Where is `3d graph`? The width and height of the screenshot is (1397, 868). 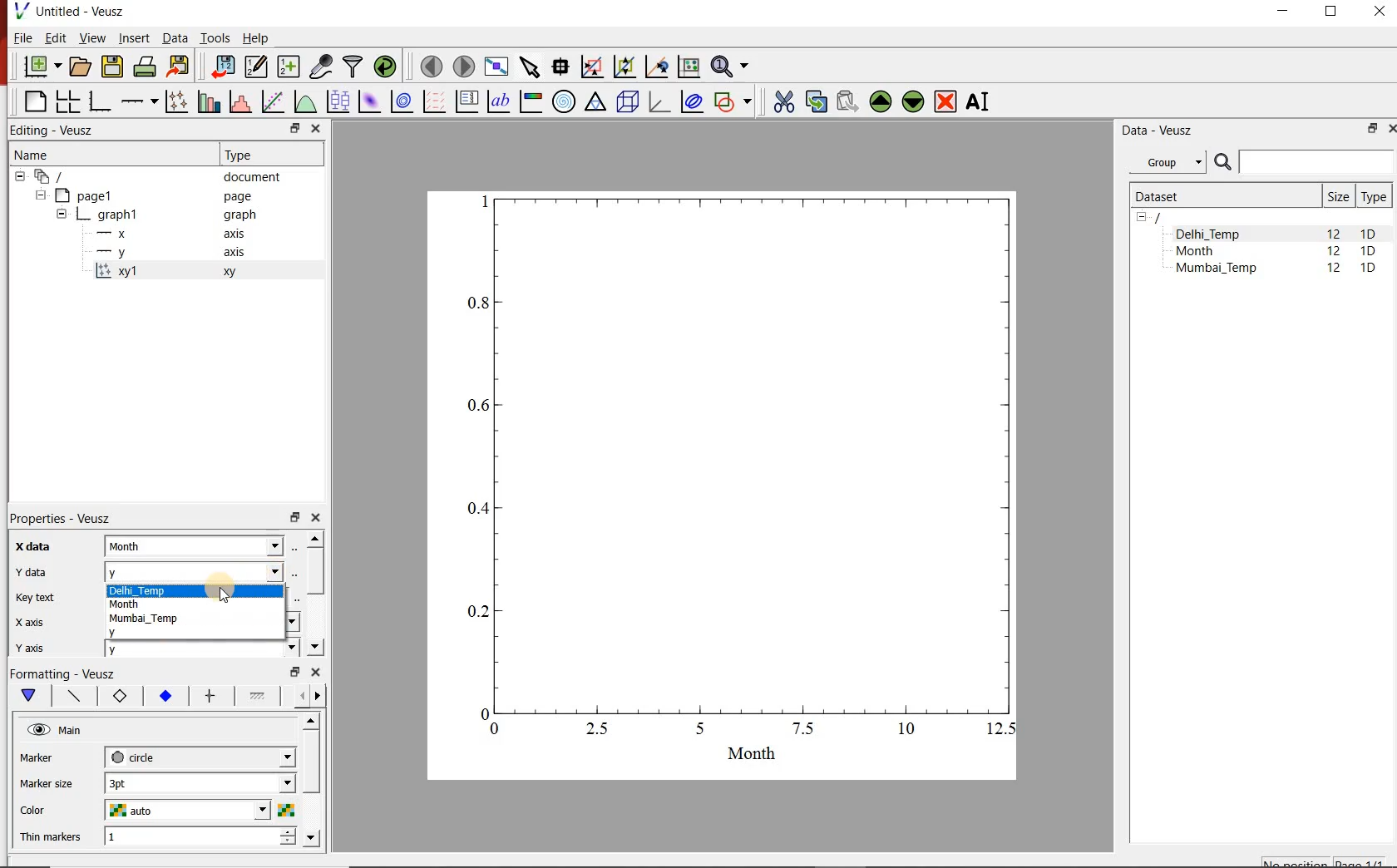
3d graph is located at coordinates (657, 101).